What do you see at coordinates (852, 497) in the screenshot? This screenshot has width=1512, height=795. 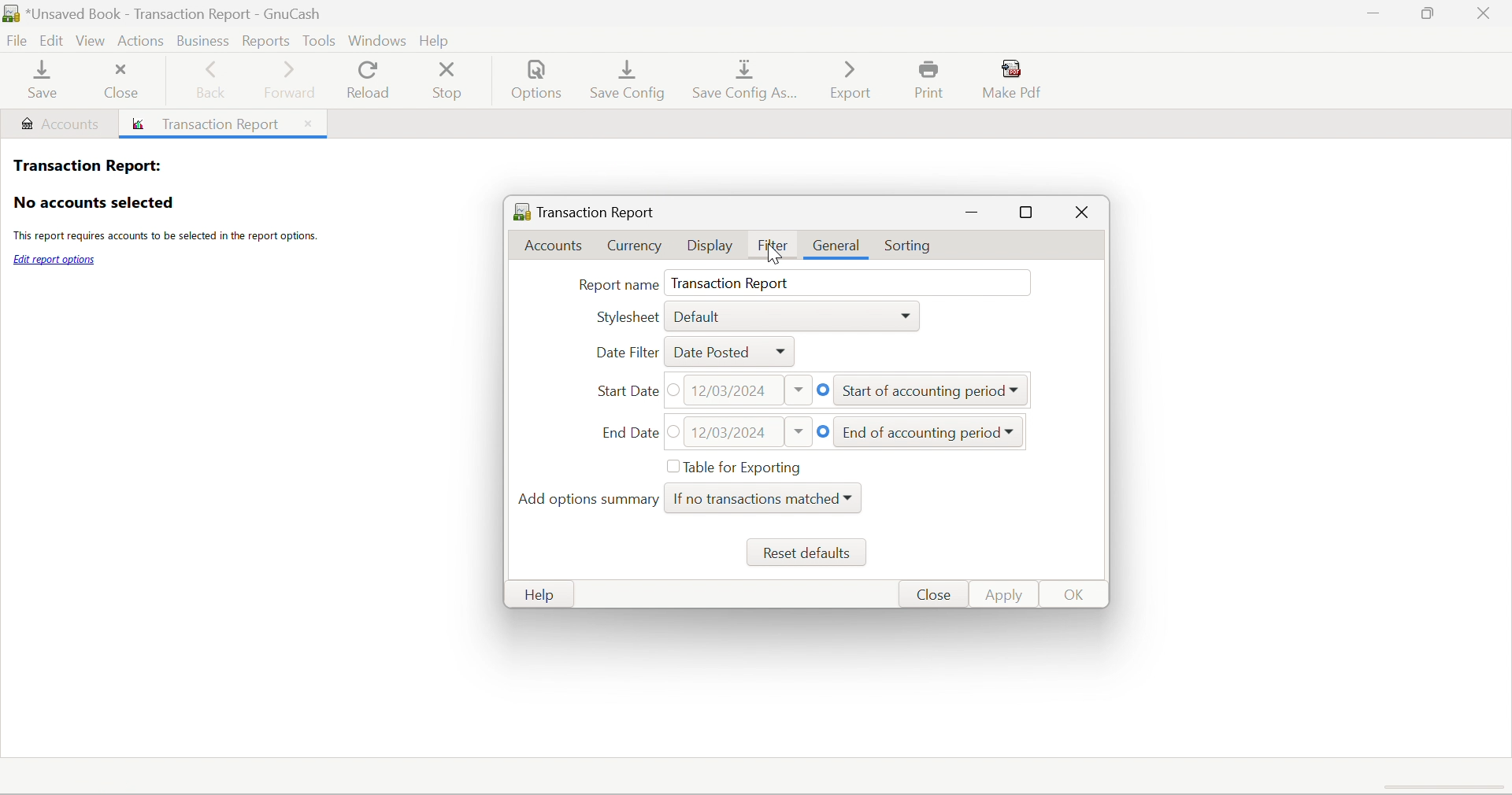 I see `Drop Down` at bounding box center [852, 497].